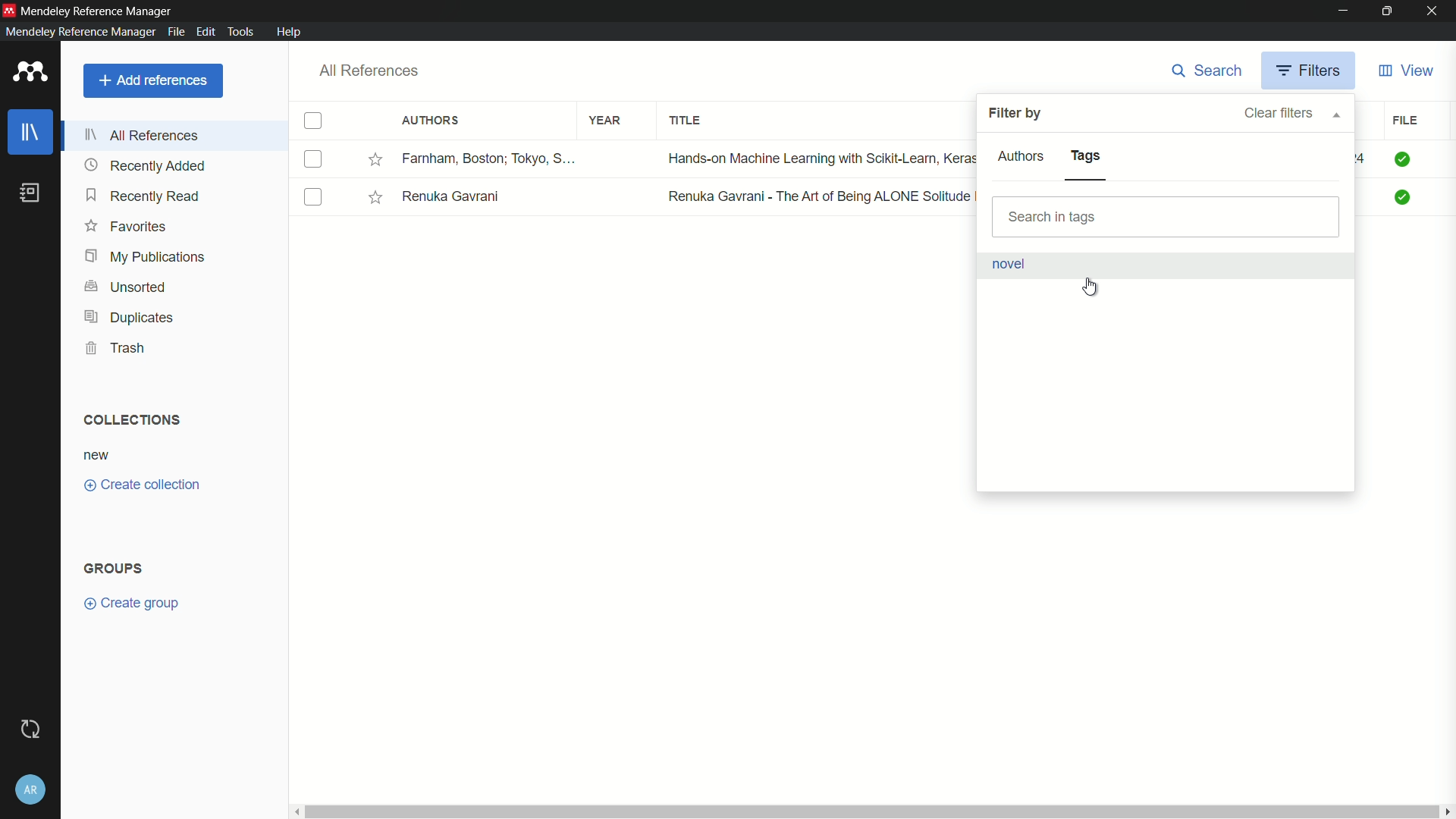 This screenshot has height=819, width=1456. Describe the element at coordinates (313, 121) in the screenshot. I see `check box` at that location.